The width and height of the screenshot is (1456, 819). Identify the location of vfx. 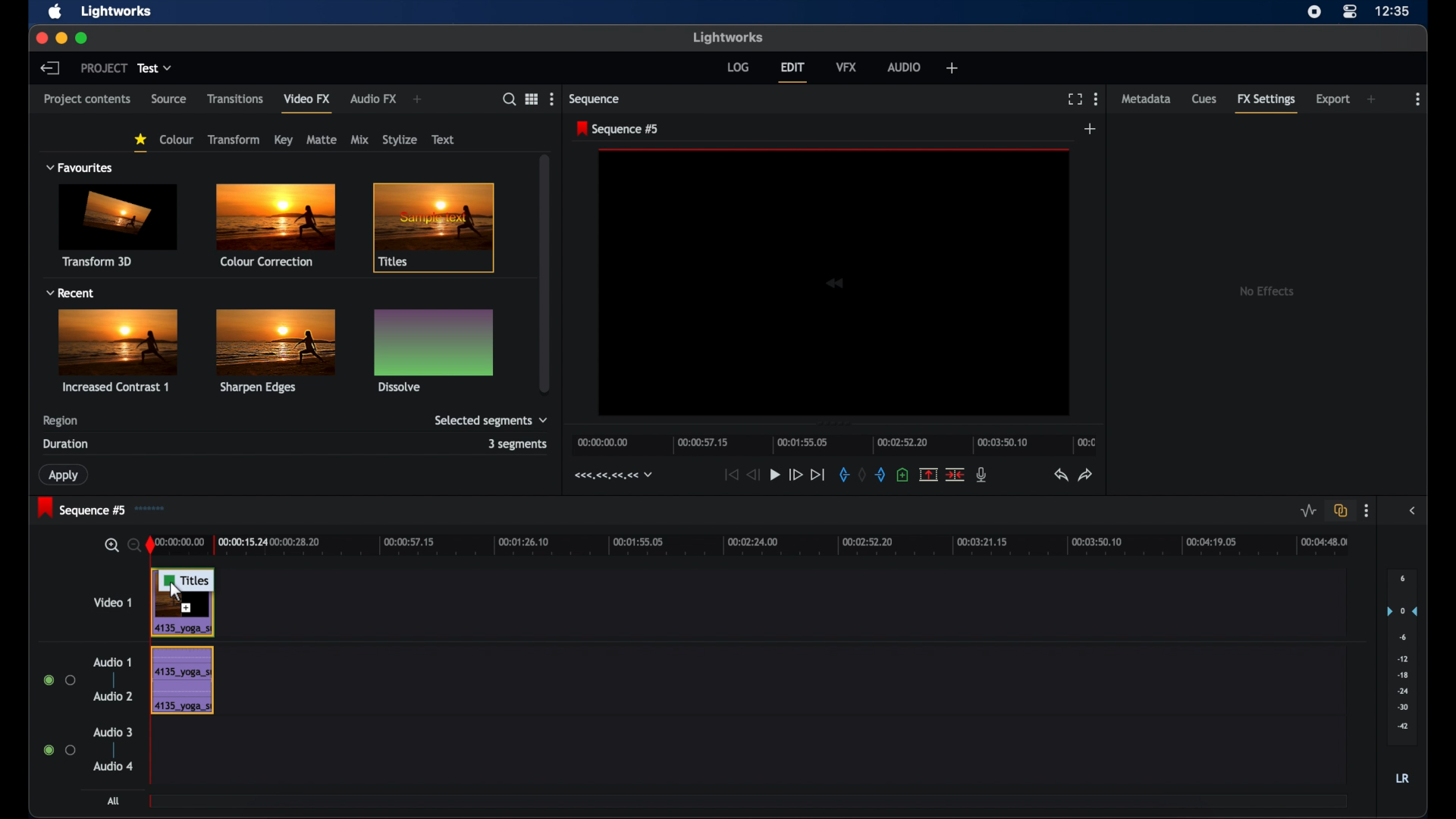
(847, 67).